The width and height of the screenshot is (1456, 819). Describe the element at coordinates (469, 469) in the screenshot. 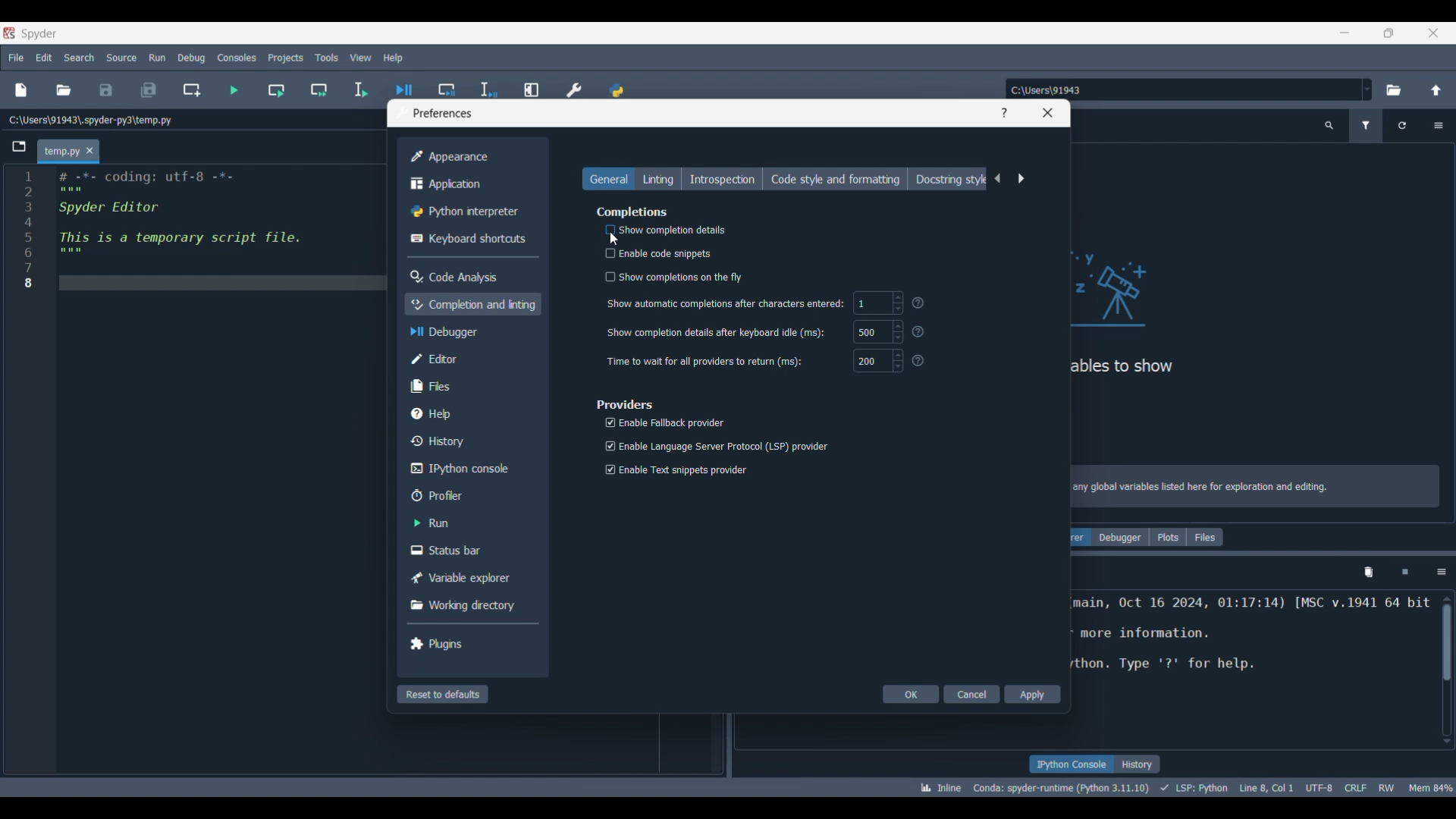

I see `IPython console` at that location.